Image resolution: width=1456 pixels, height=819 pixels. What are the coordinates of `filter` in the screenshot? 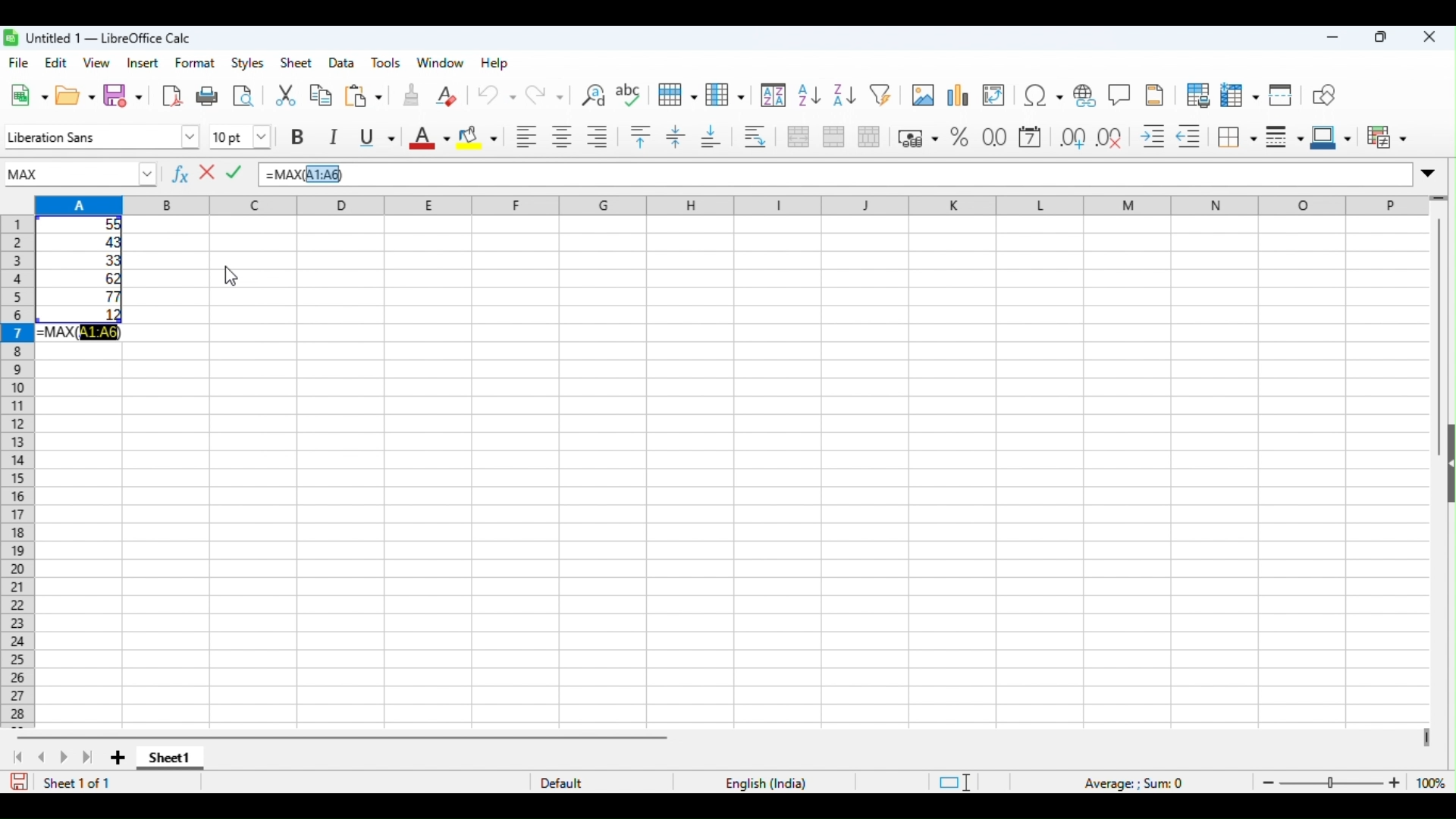 It's located at (882, 95).